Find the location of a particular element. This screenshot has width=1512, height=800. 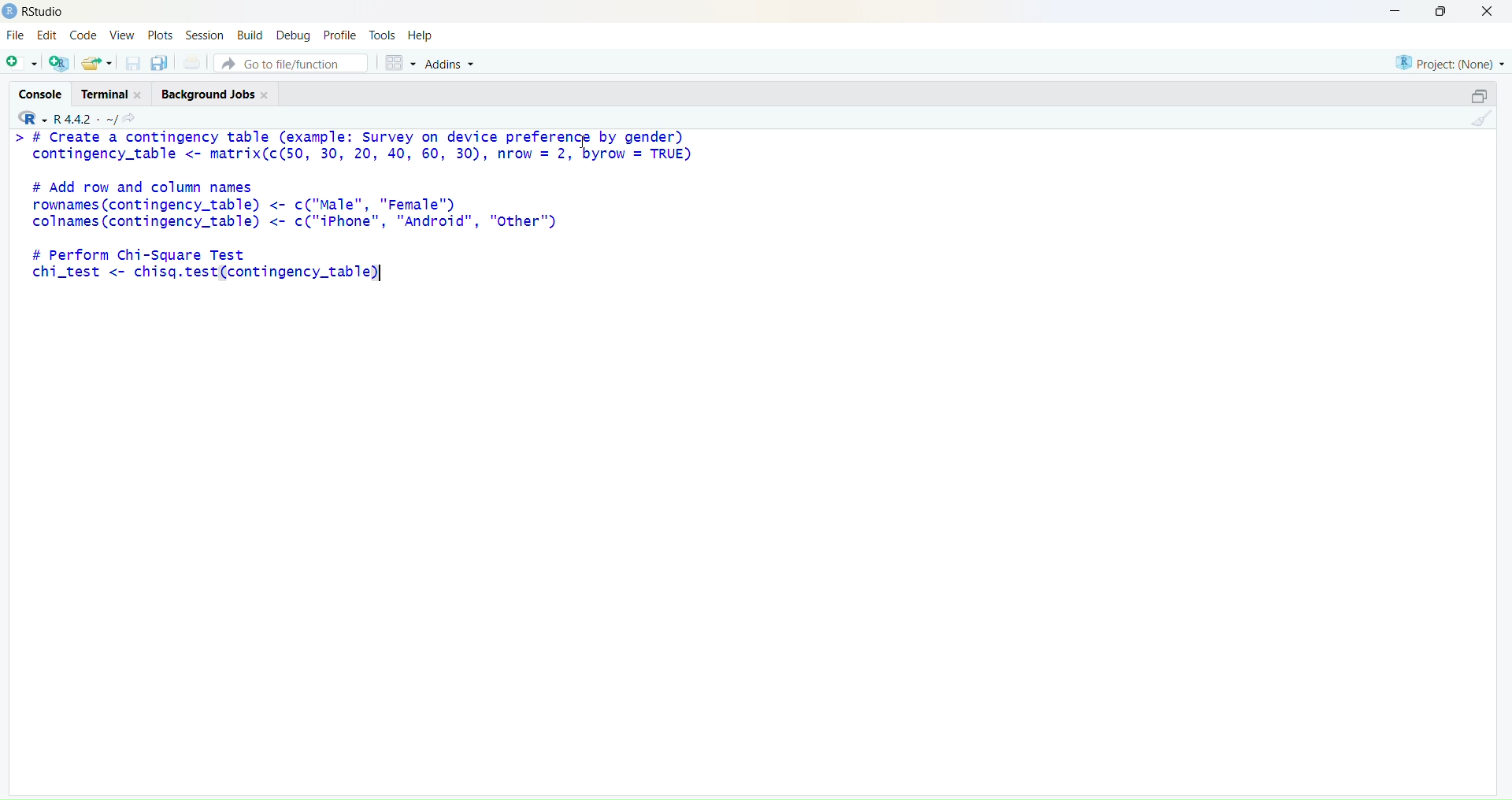

print is located at coordinates (191, 61).